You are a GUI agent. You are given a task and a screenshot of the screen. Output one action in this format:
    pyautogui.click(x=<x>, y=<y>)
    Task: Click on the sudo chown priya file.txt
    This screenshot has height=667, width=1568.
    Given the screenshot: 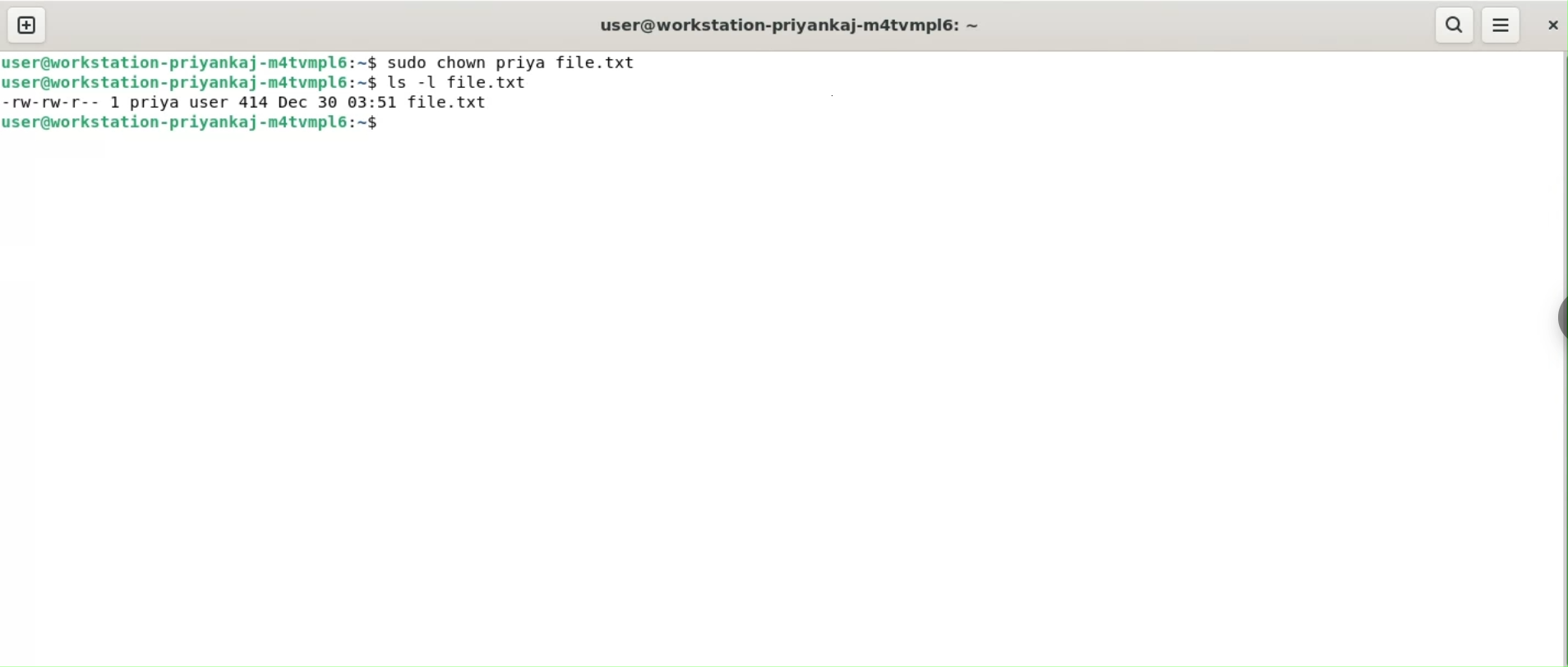 What is the action you would take?
    pyautogui.click(x=519, y=61)
    